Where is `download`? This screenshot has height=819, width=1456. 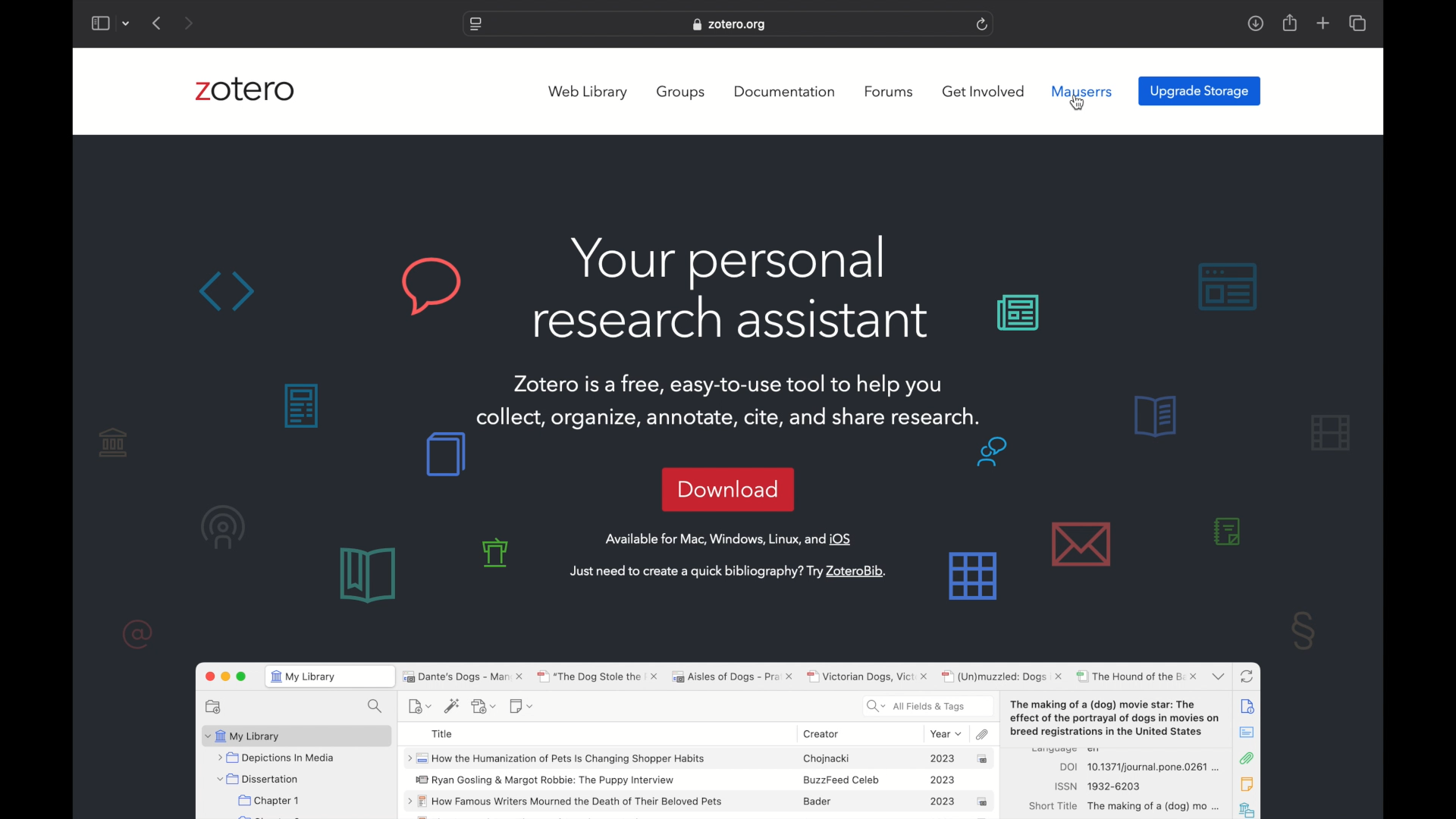 download is located at coordinates (728, 488).